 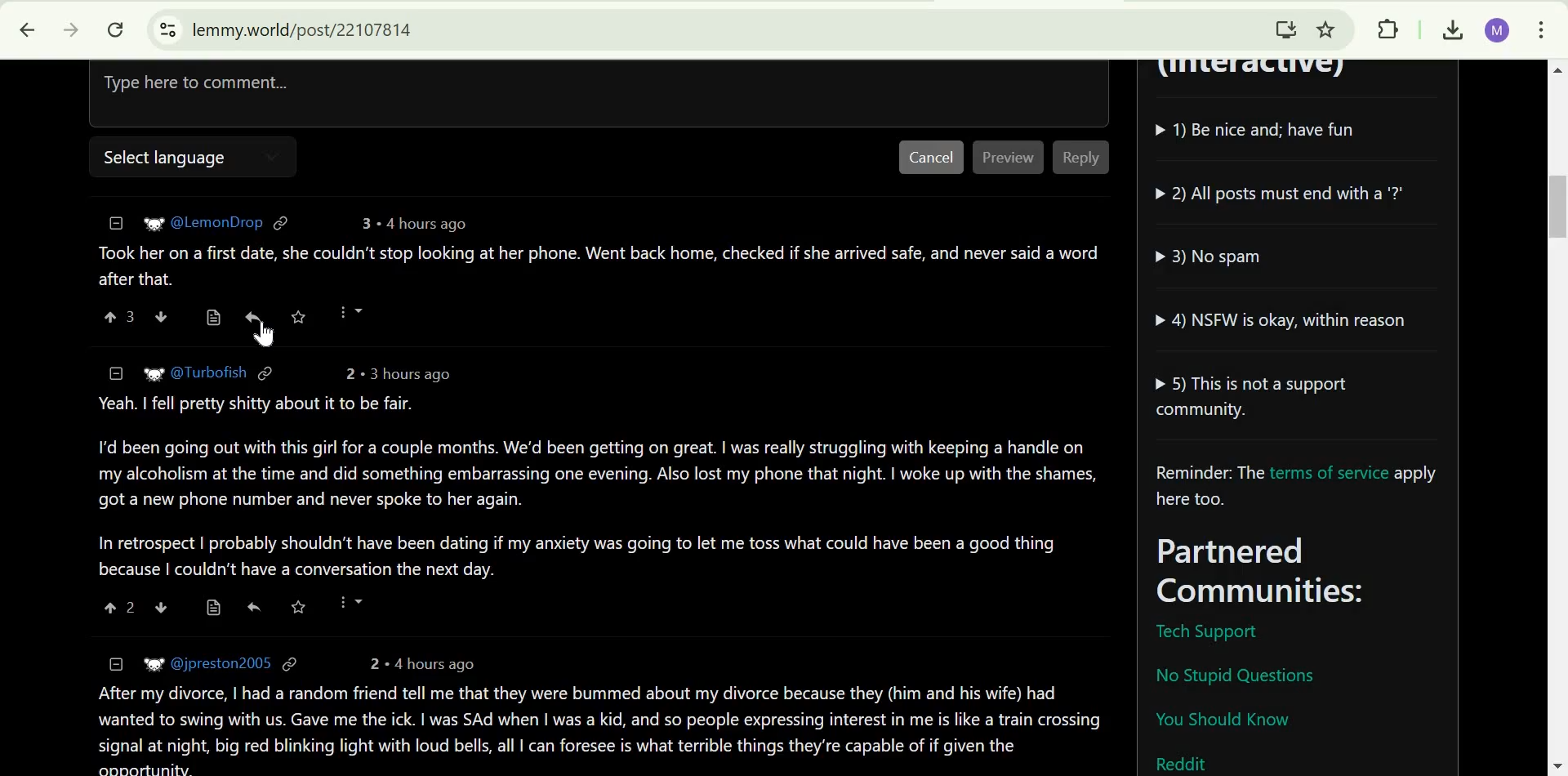 What do you see at coordinates (595, 265) in the screenshot?
I see `comment` at bounding box center [595, 265].